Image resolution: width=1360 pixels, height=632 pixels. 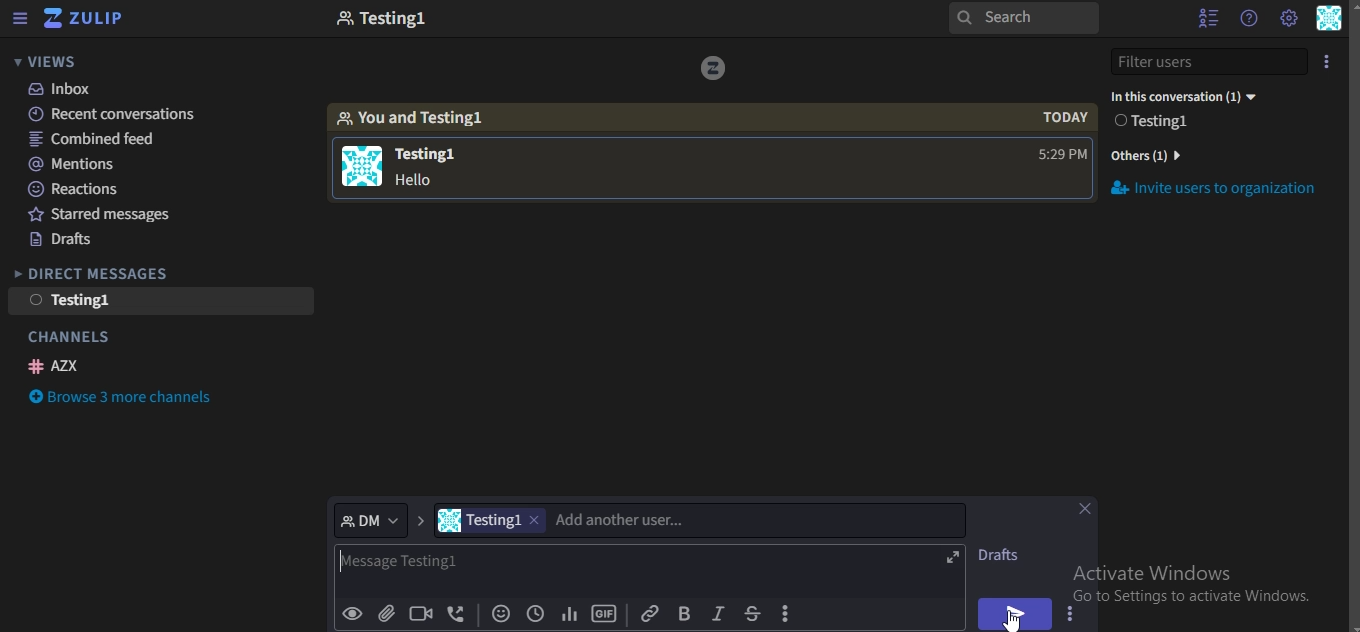 What do you see at coordinates (622, 520) in the screenshot?
I see `add another user..` at bounding box center [622, 520].